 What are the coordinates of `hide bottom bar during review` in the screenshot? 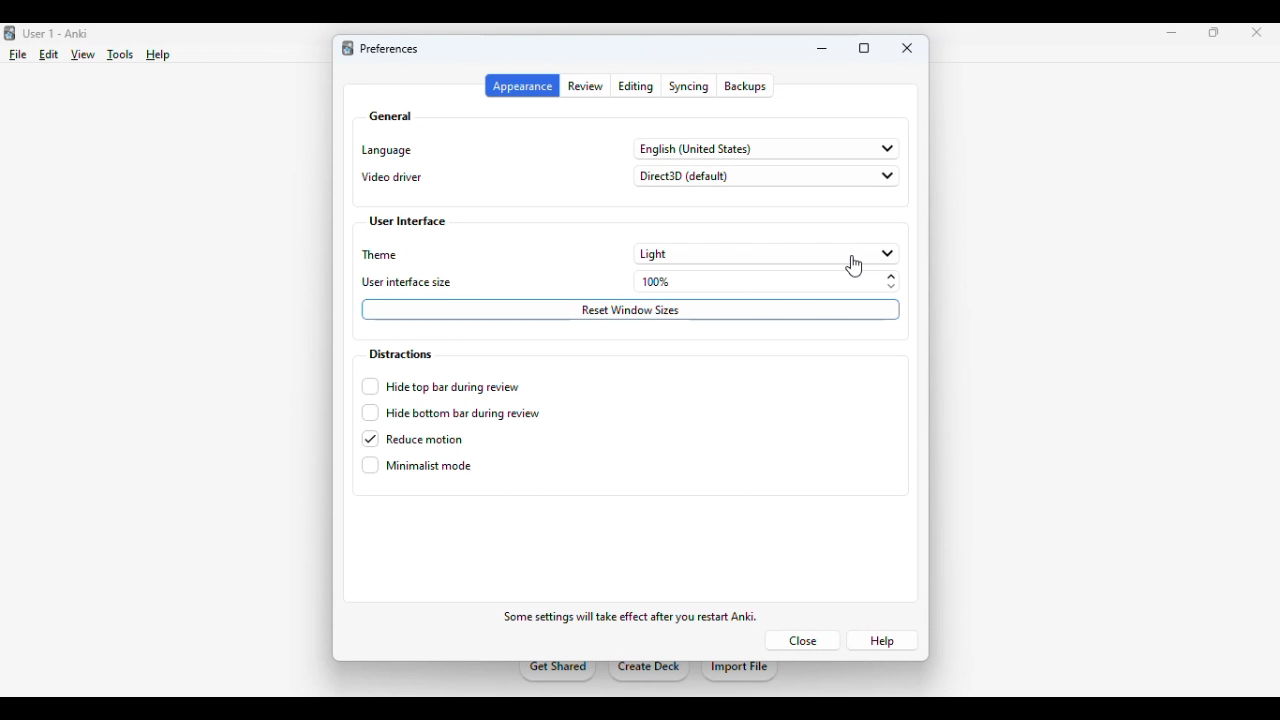 It's located at (450, 413).